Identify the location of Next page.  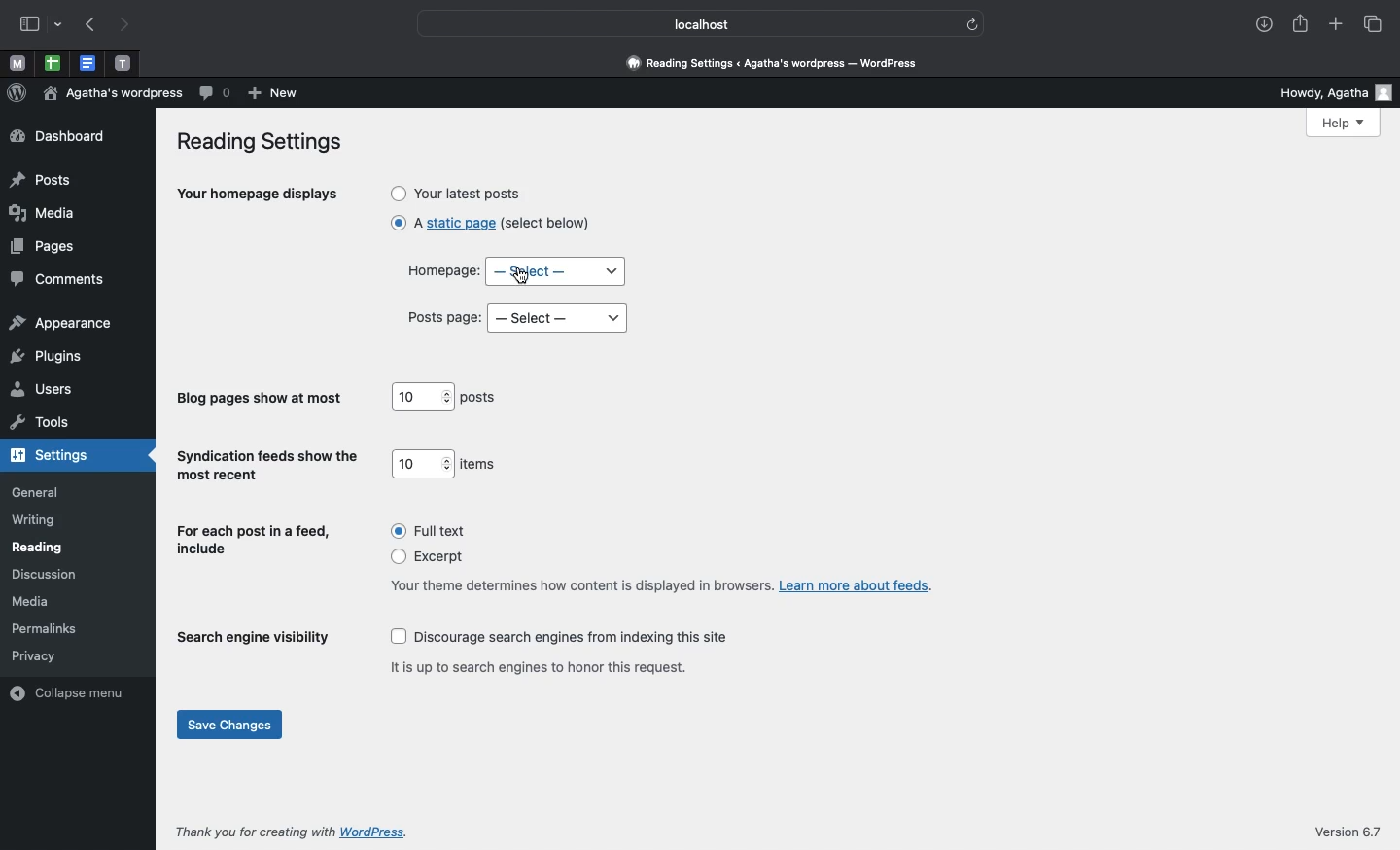
(127, 26).